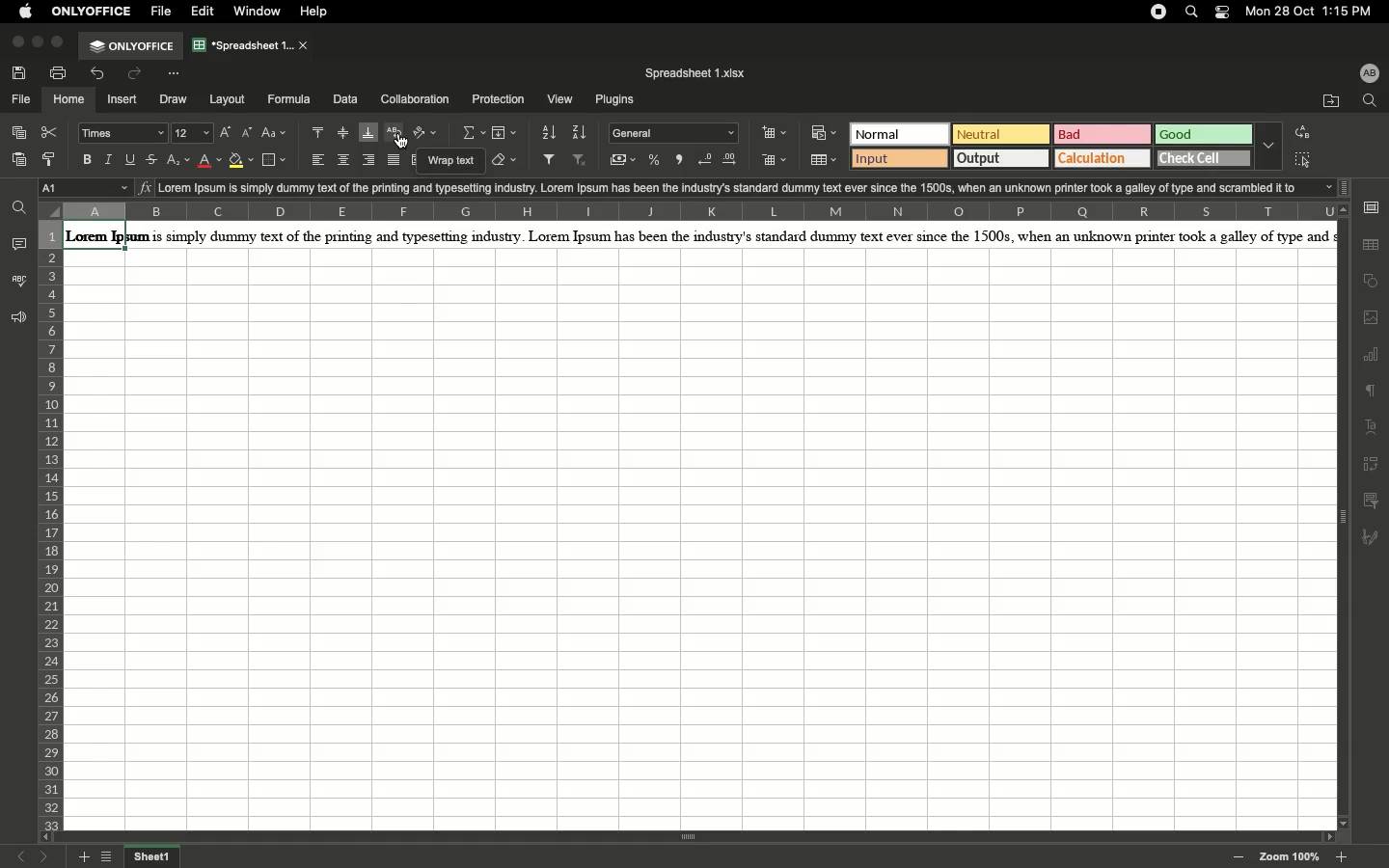 The image size is (1389, 868). What do you see at coordinates (685, 211) in the screenshot?
I see `Column` at bounding box center [685, 211].